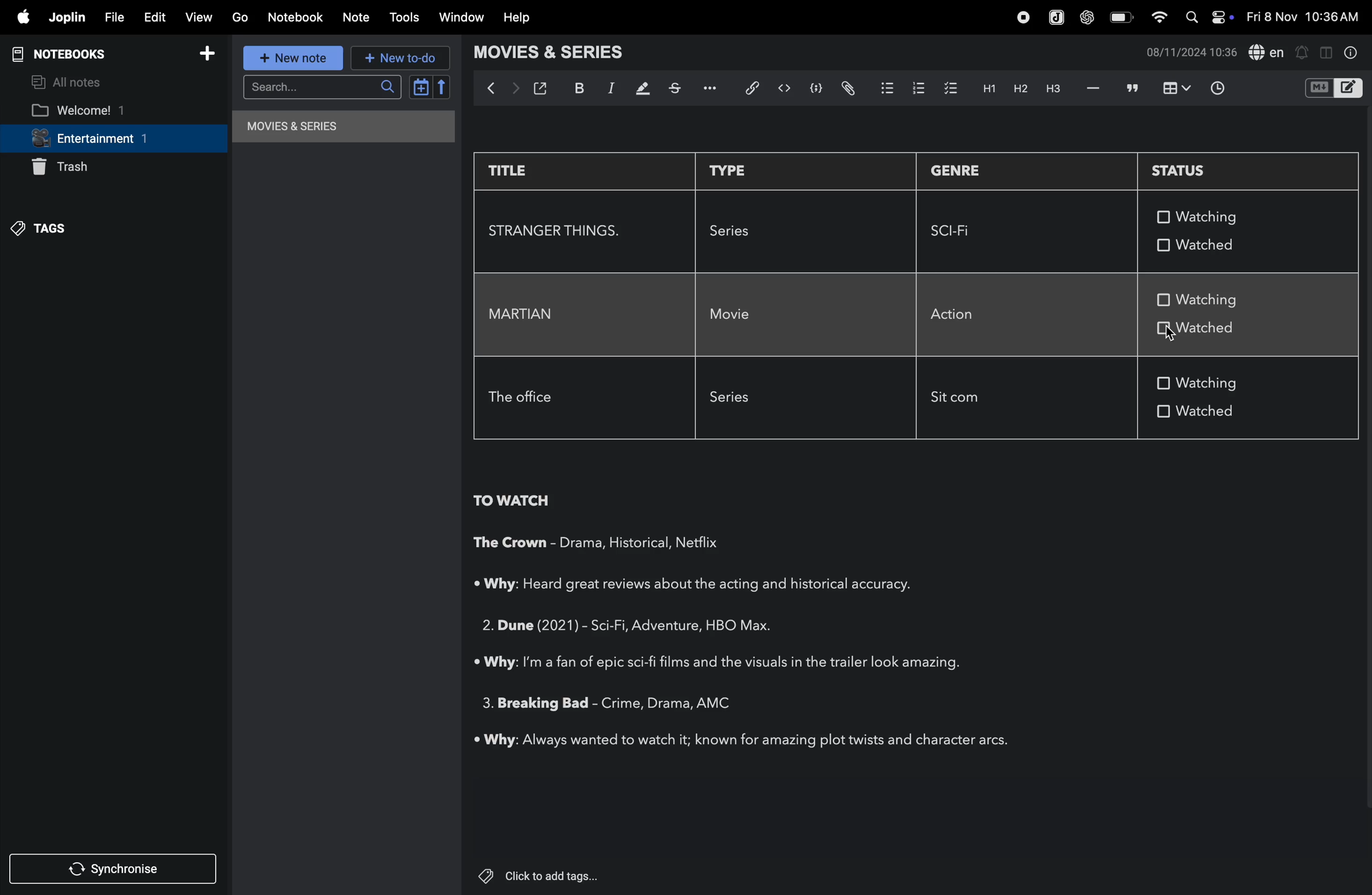 The image size is (1372, 895). What do you see at coordinates (1055, 17) in the screenshot?
I see `joplin` at bounding box center [1055, 17].